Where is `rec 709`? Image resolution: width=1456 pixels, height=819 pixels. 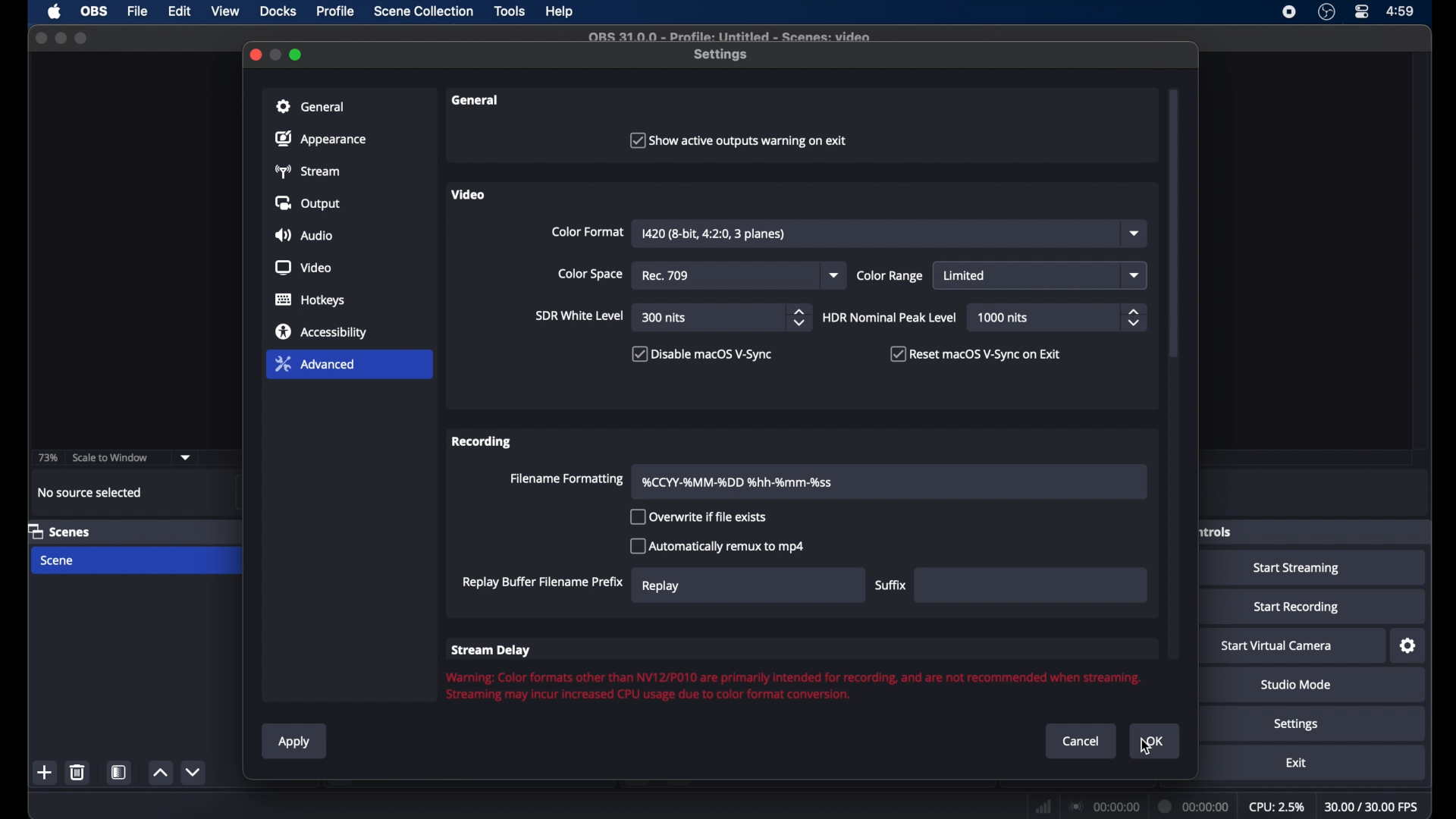 rec 709 is located at coordinates (669, 276).